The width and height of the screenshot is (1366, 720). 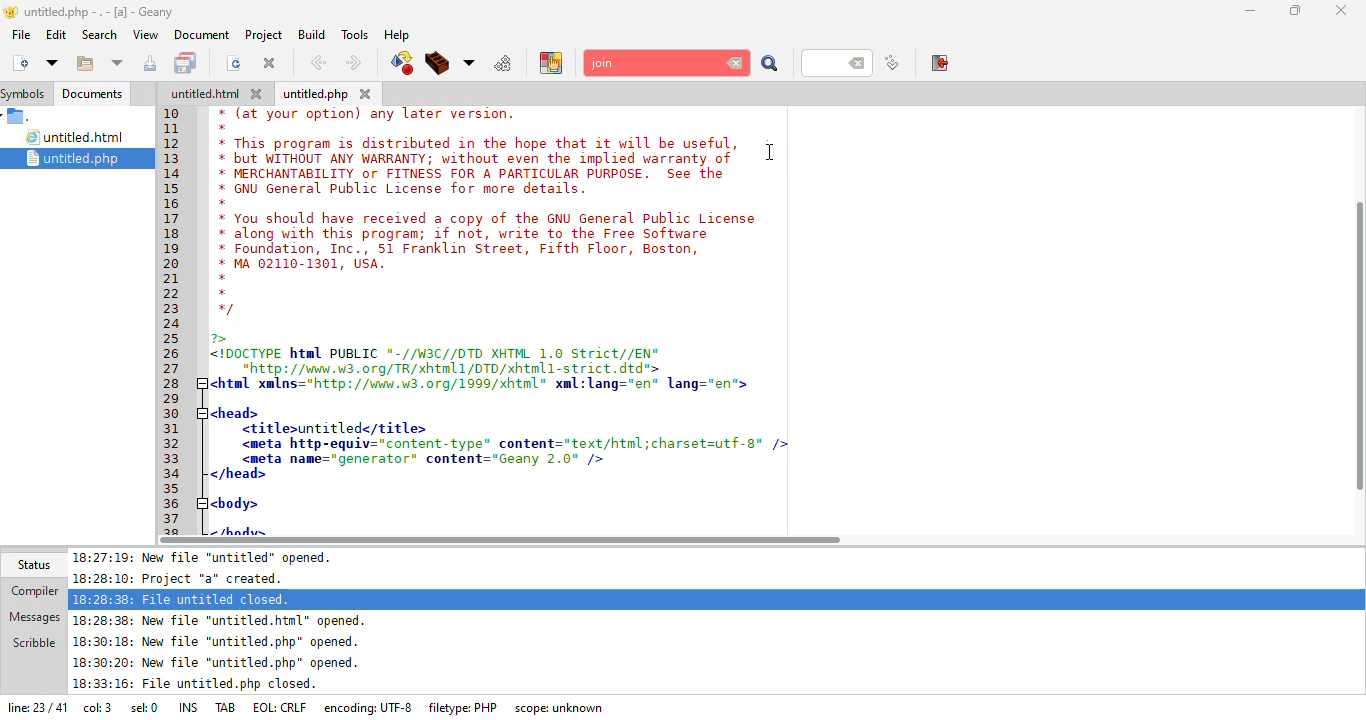 What do you see at coordinates (236, 502) in the screenshot?
I see `<body>` at bounding box center [236, 502].